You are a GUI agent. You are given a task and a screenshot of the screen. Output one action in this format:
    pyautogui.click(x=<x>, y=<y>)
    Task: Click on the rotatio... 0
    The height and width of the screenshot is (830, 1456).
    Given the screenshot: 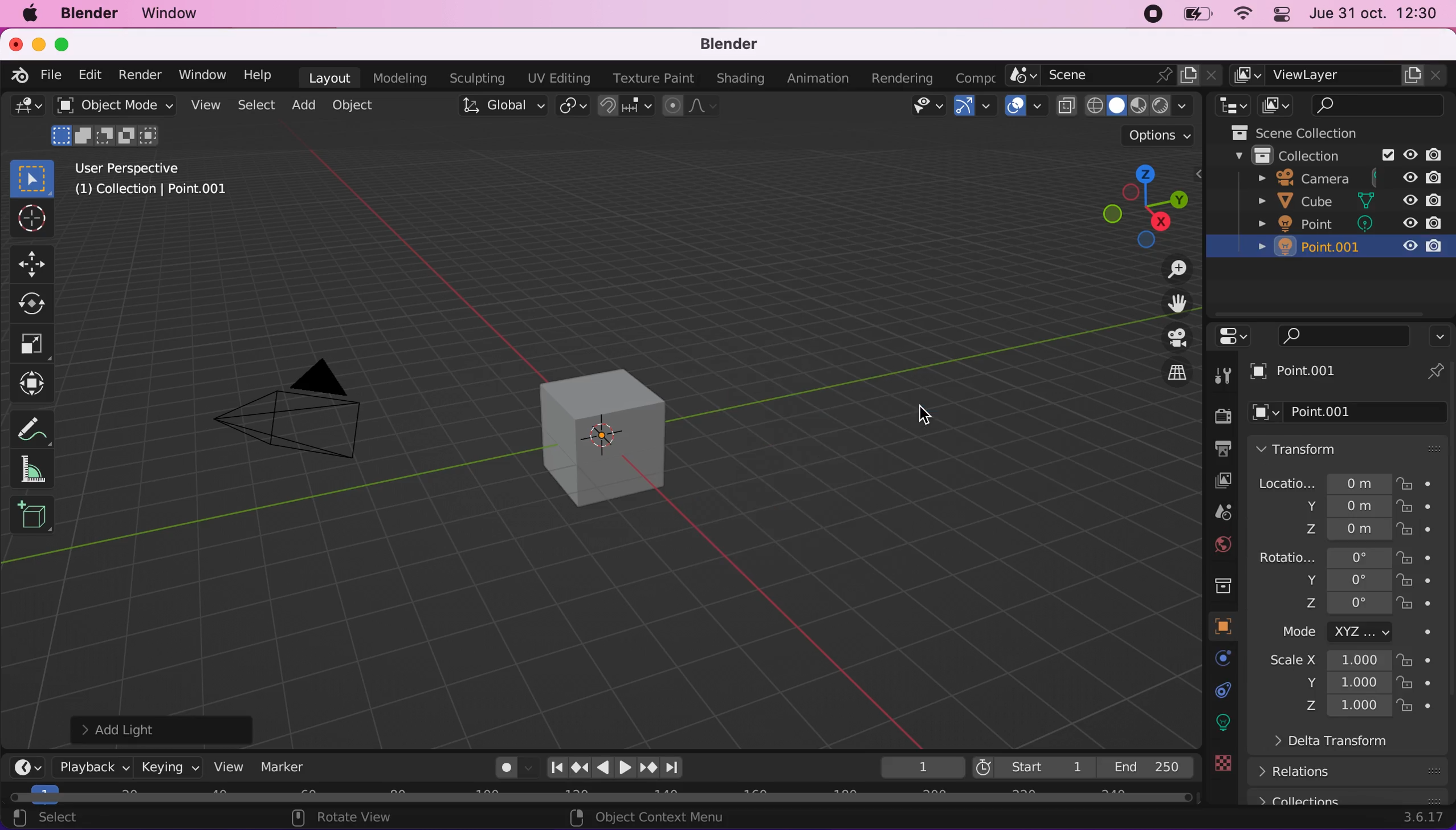 What is the action you would take?
    pyautogui.click(x=1324, y=555)
    